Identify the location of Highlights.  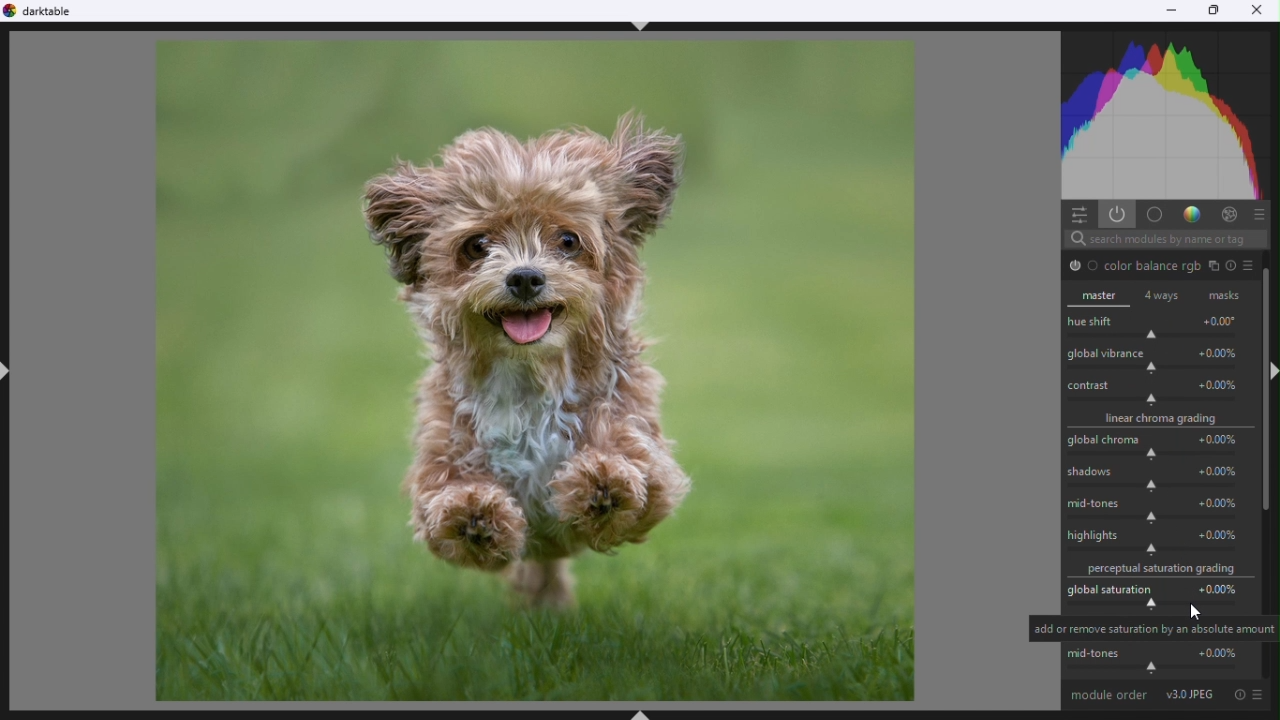
(1161, 544).